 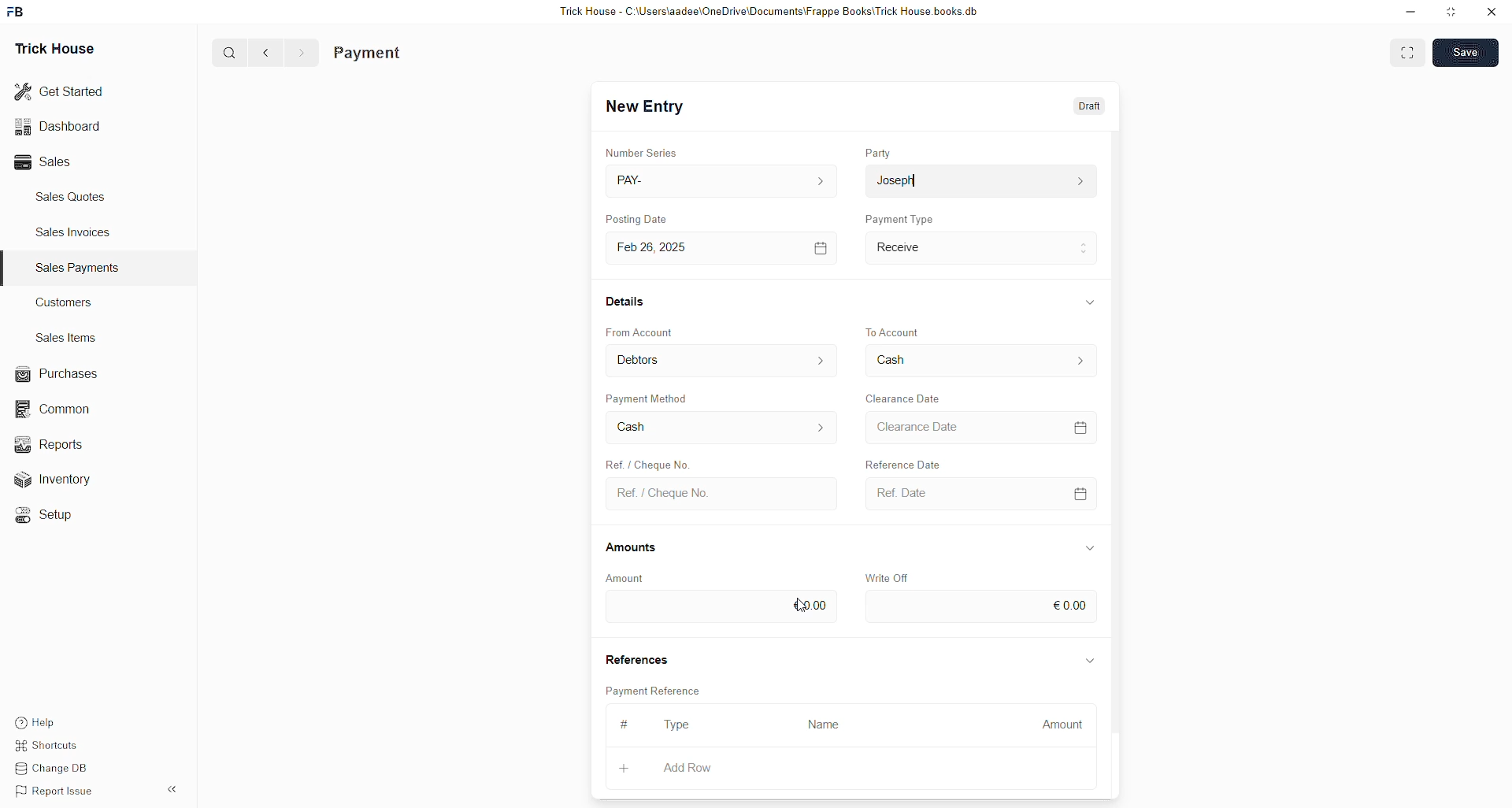 What do you see at coordinates (47, 162) in the screenshot?
I see `Sales` at bounding box center [47, 162].